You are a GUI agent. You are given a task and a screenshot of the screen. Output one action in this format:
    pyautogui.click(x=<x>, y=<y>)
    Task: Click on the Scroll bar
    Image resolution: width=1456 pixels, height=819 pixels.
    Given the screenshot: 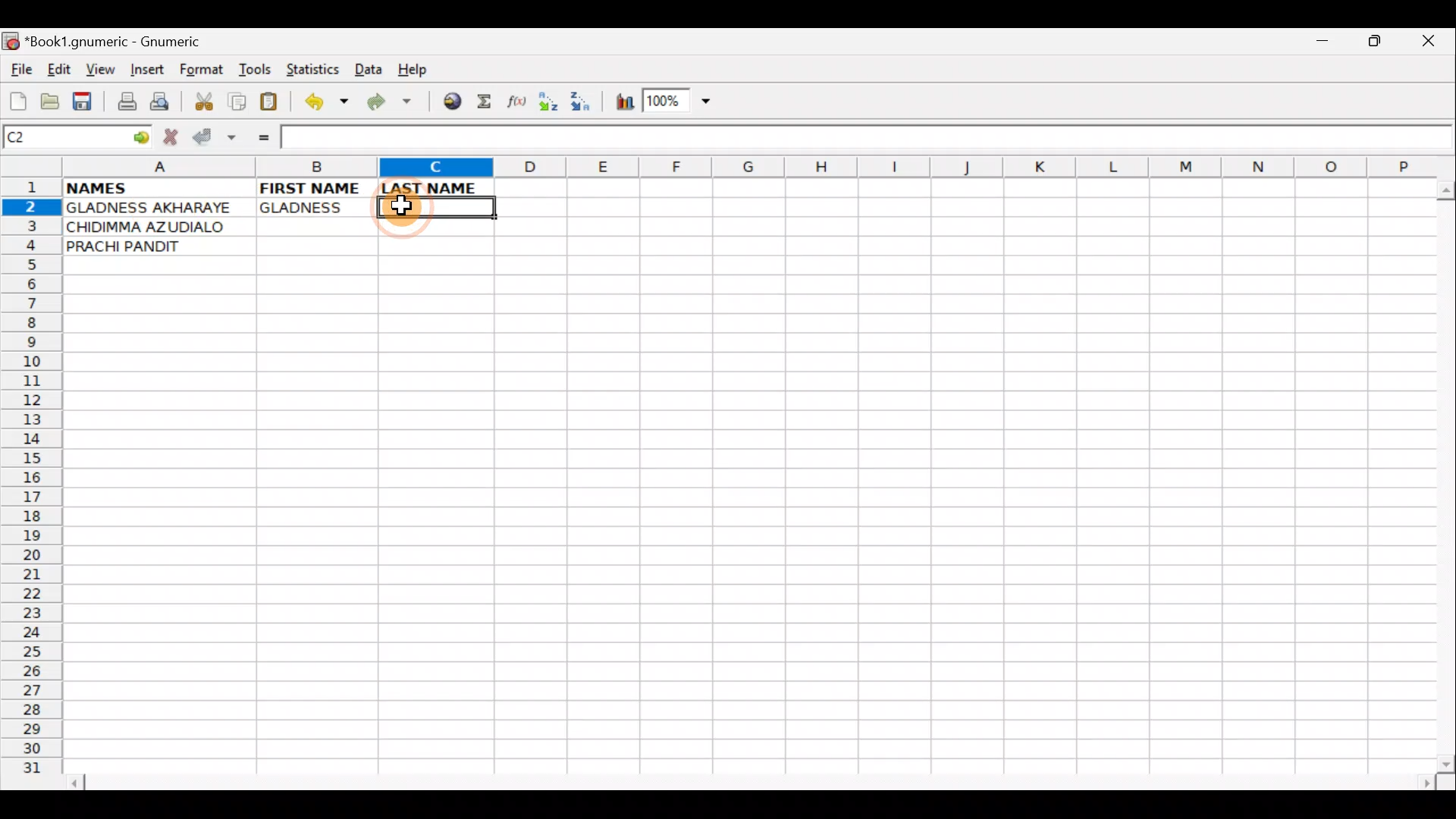 What is the action you would take?
    pyautogui.click(x=754, y=780)
    